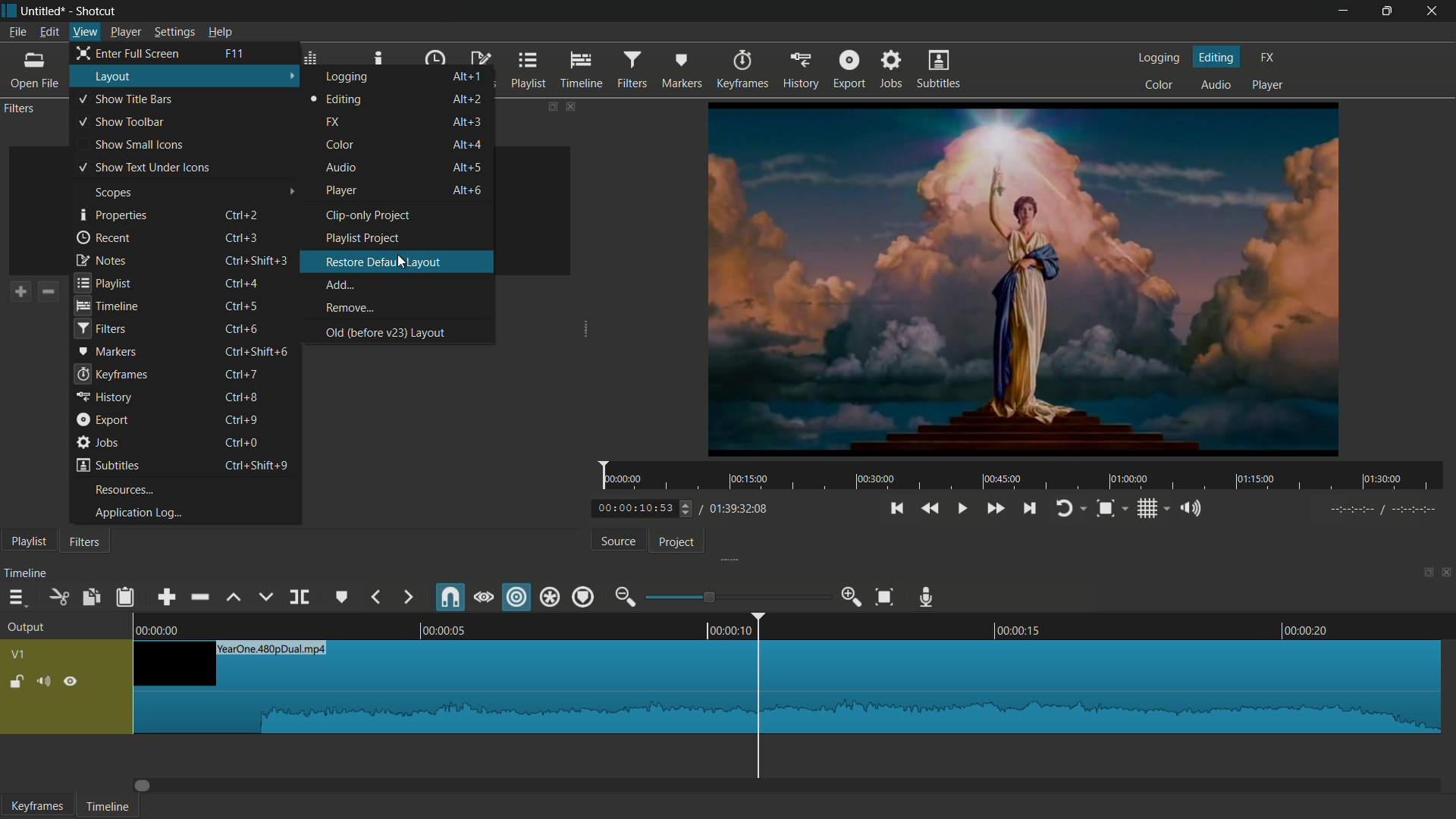 The image size is (1456, 819). What do you see at coordinates (468, 76) in the screenshot?
I see `keyboard shortcut` at bounding box center [468, 76].